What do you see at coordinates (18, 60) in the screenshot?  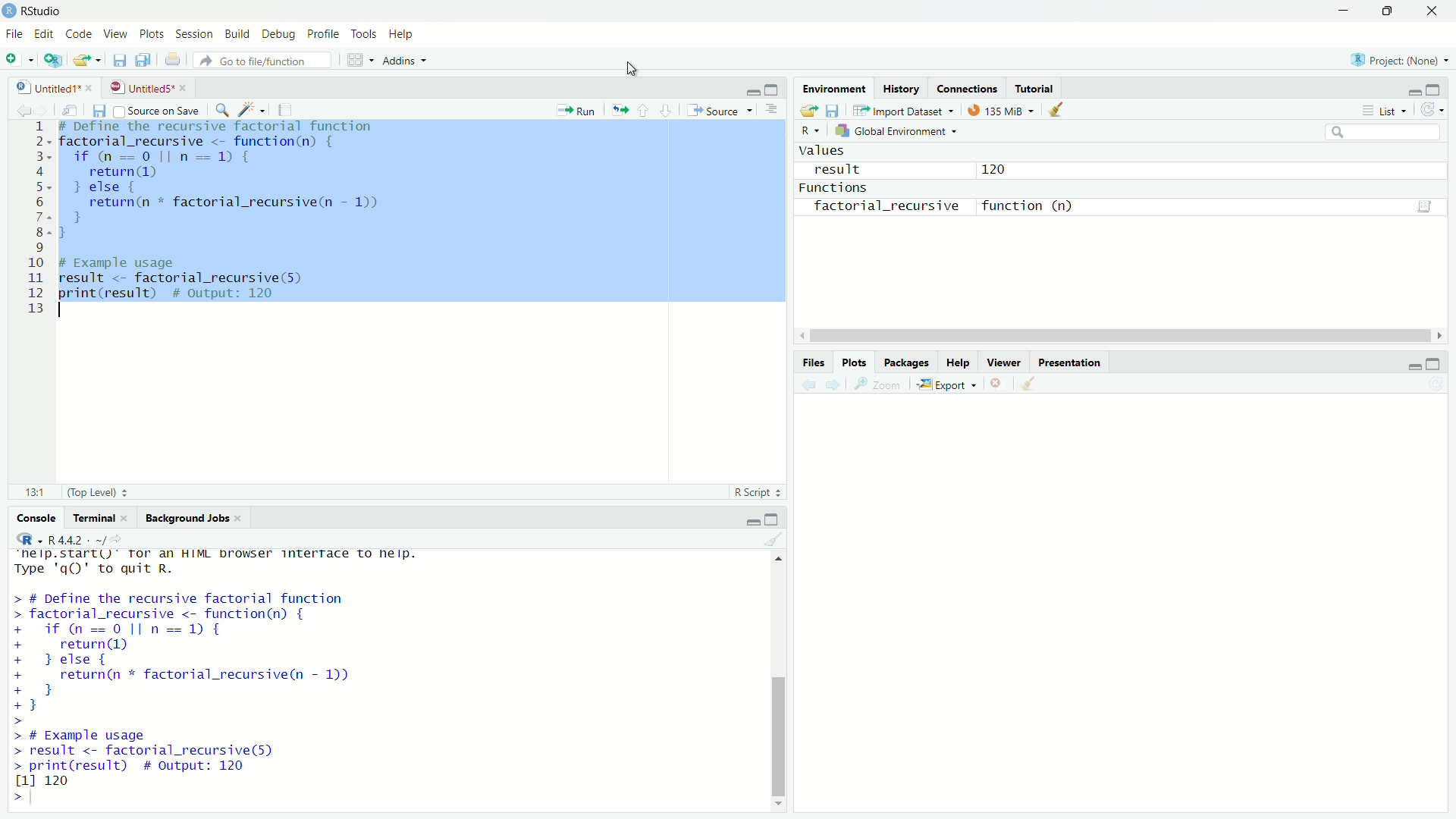 I see `New File` at bounding box center [18, 60].